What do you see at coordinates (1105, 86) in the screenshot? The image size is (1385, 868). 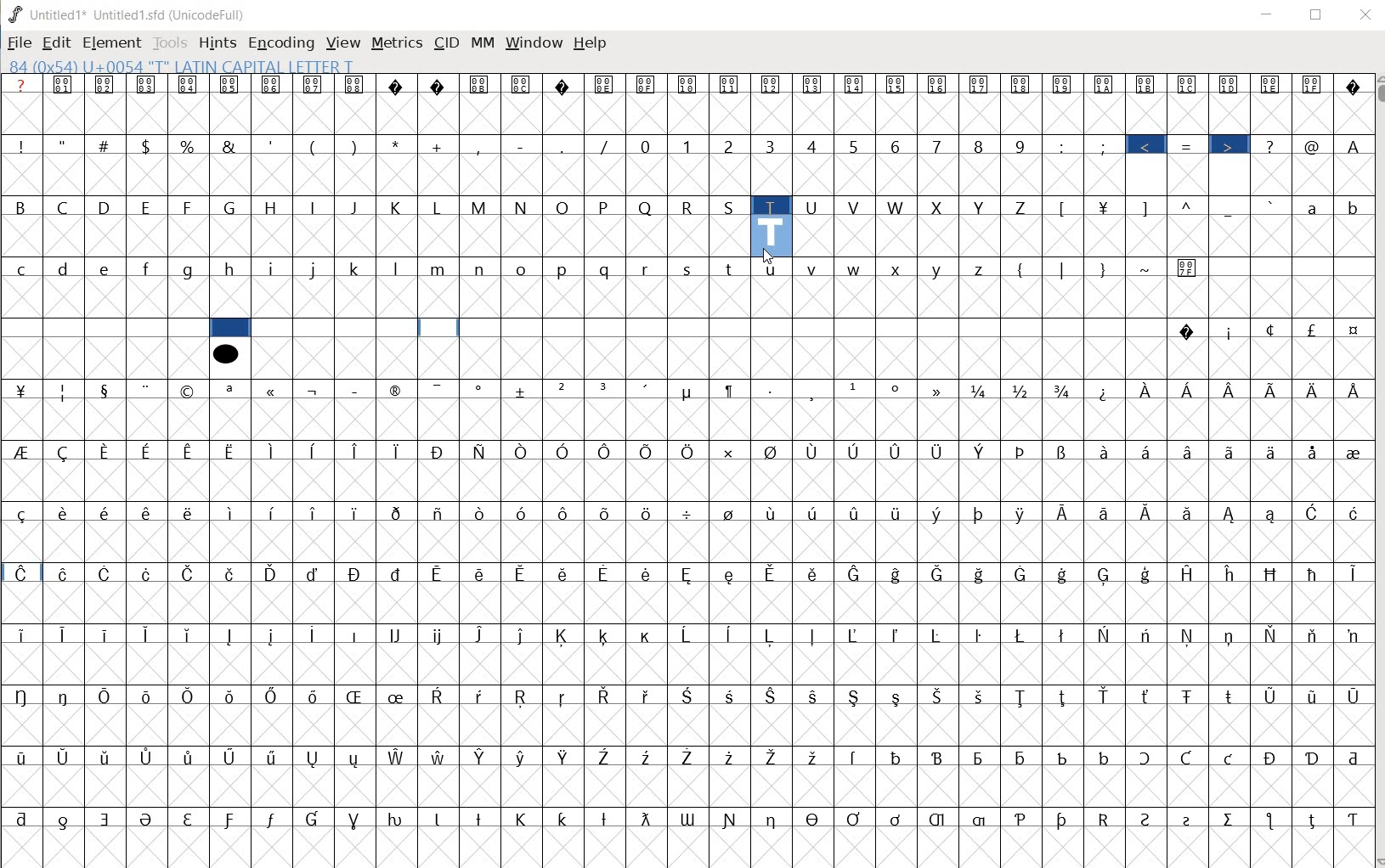 I see `Symbol` at bounding box center [1105, 86].